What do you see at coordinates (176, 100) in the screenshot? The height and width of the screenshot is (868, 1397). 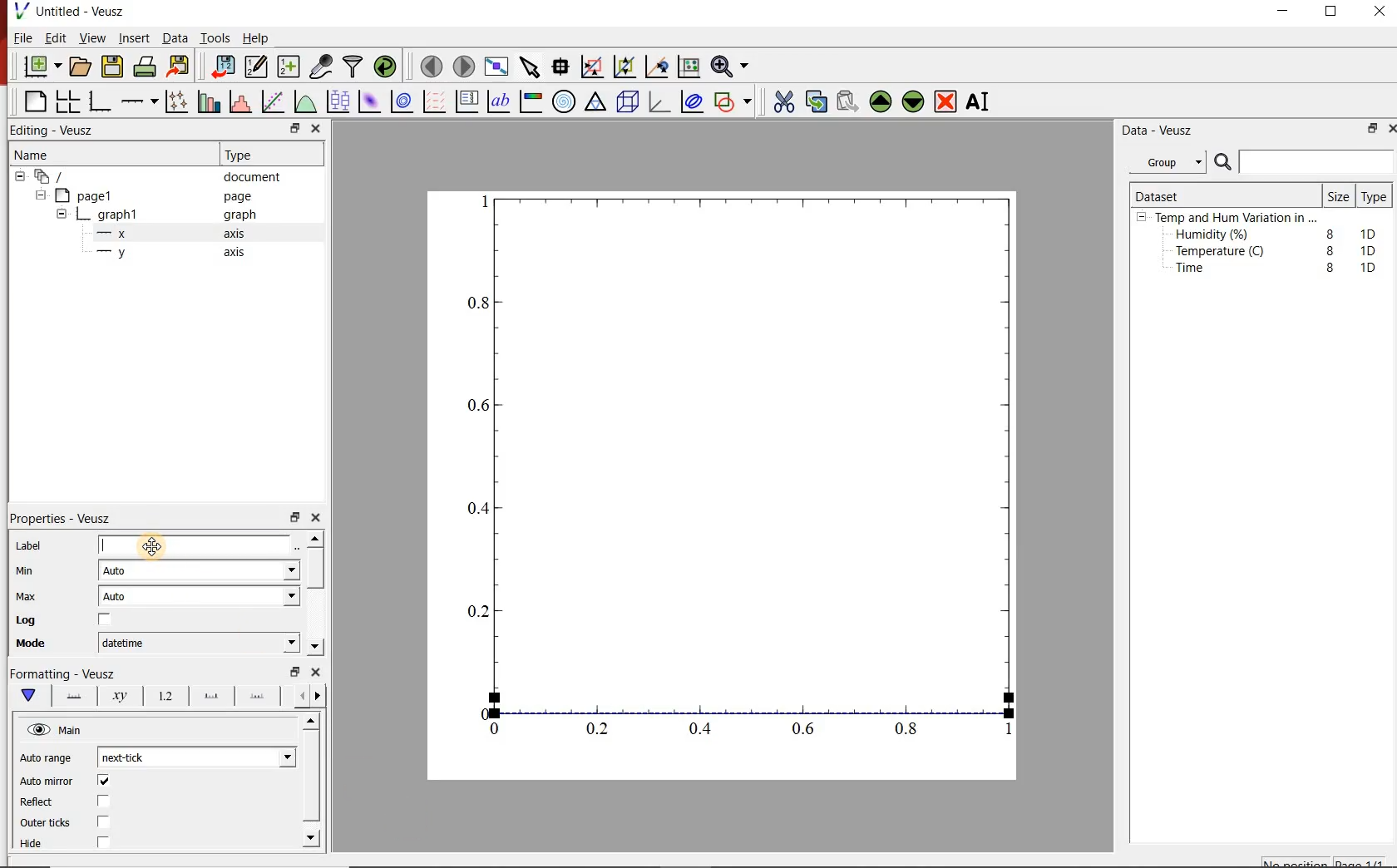 I see `Plot points with lines and error bars` at bounding box center [176, 100].